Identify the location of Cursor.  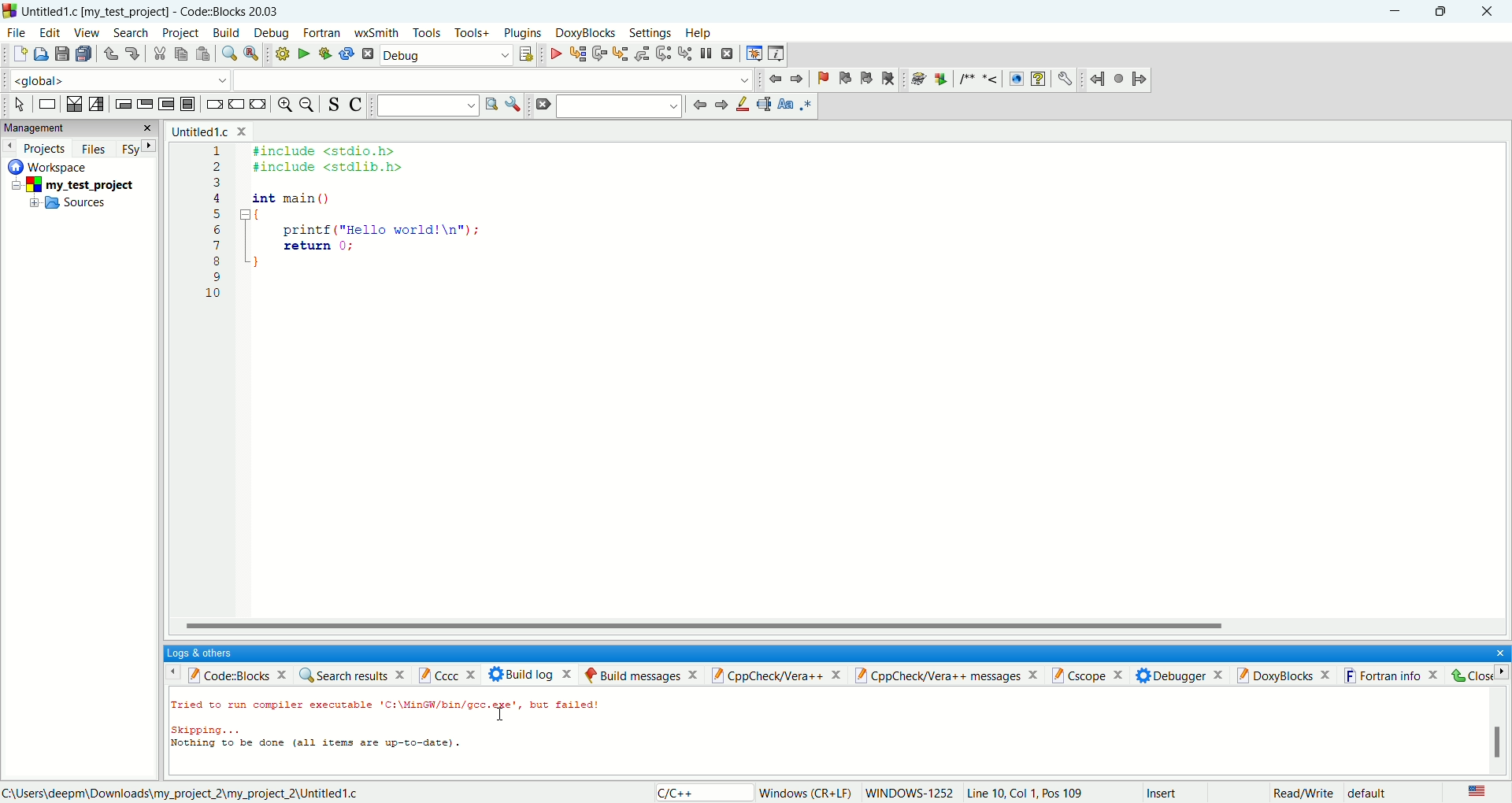
(502, 711).